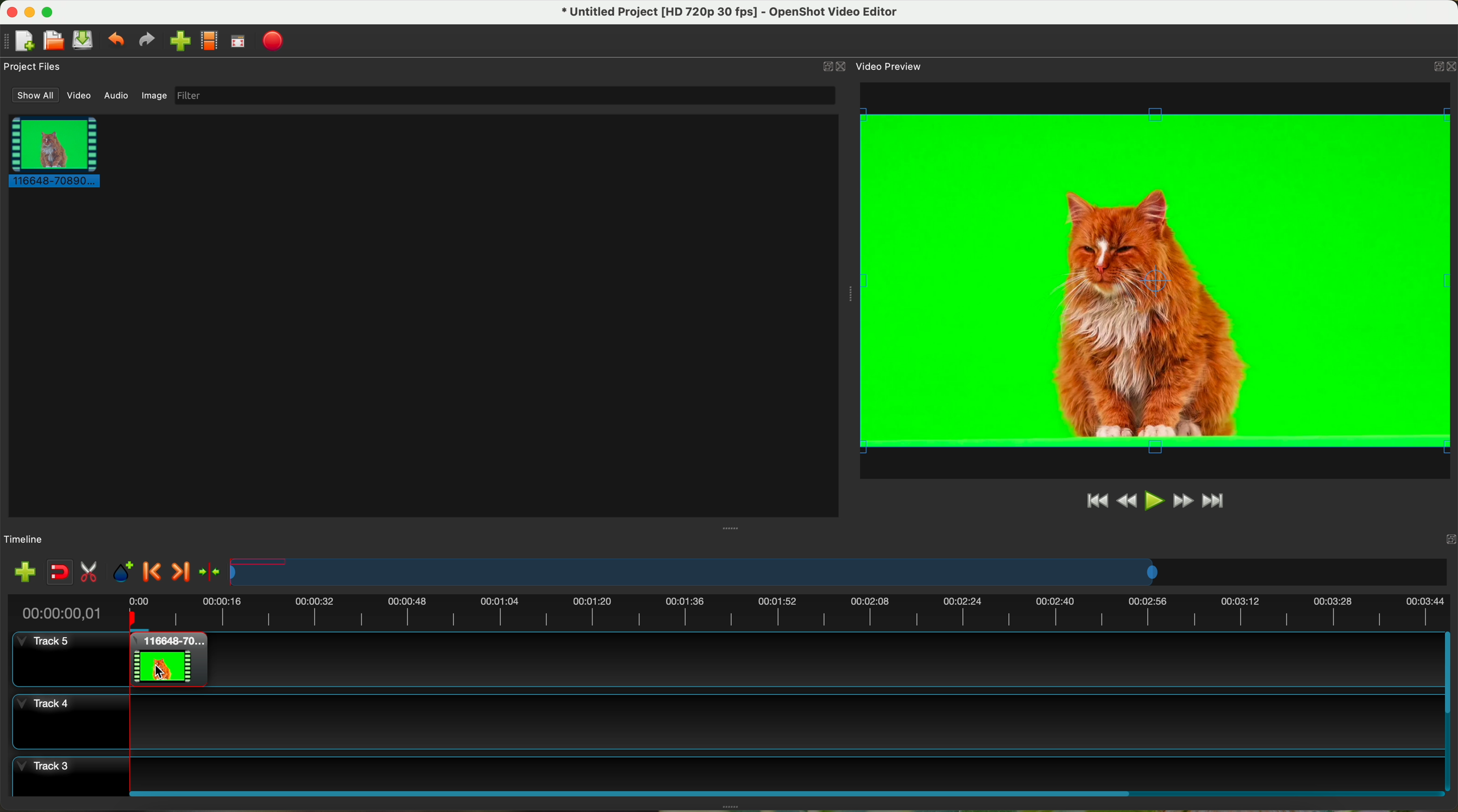 This screenshot has height=812, width=1458. What do you see at coordinates (84, 40) in the screenshot?
I see `save project` at bounding box center [84, 40].